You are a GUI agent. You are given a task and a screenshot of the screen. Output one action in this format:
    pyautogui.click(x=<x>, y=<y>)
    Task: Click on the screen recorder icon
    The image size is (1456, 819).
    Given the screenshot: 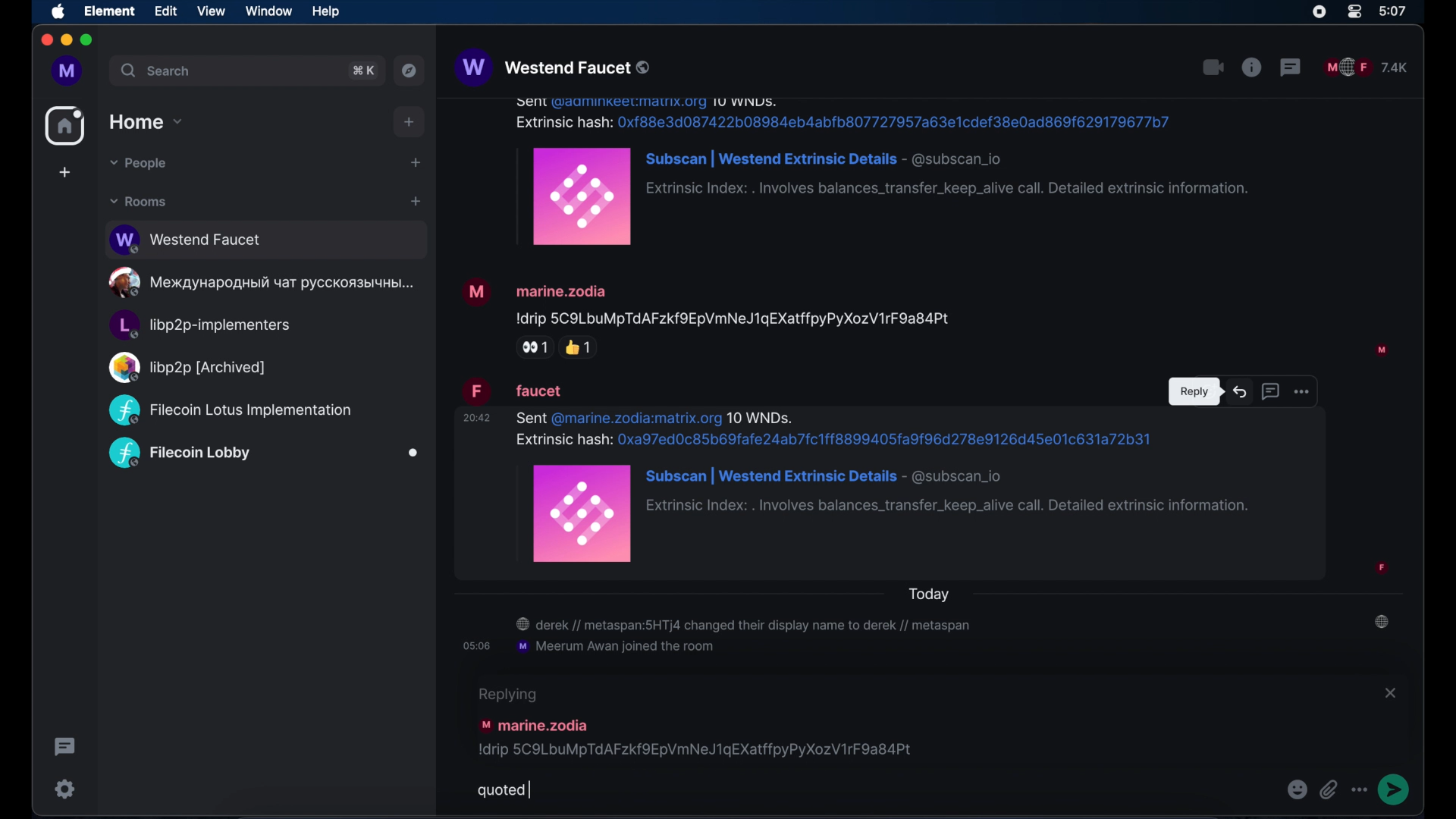 What is the action you would take?
    pyautogui.click(x=1319, y=12)
    